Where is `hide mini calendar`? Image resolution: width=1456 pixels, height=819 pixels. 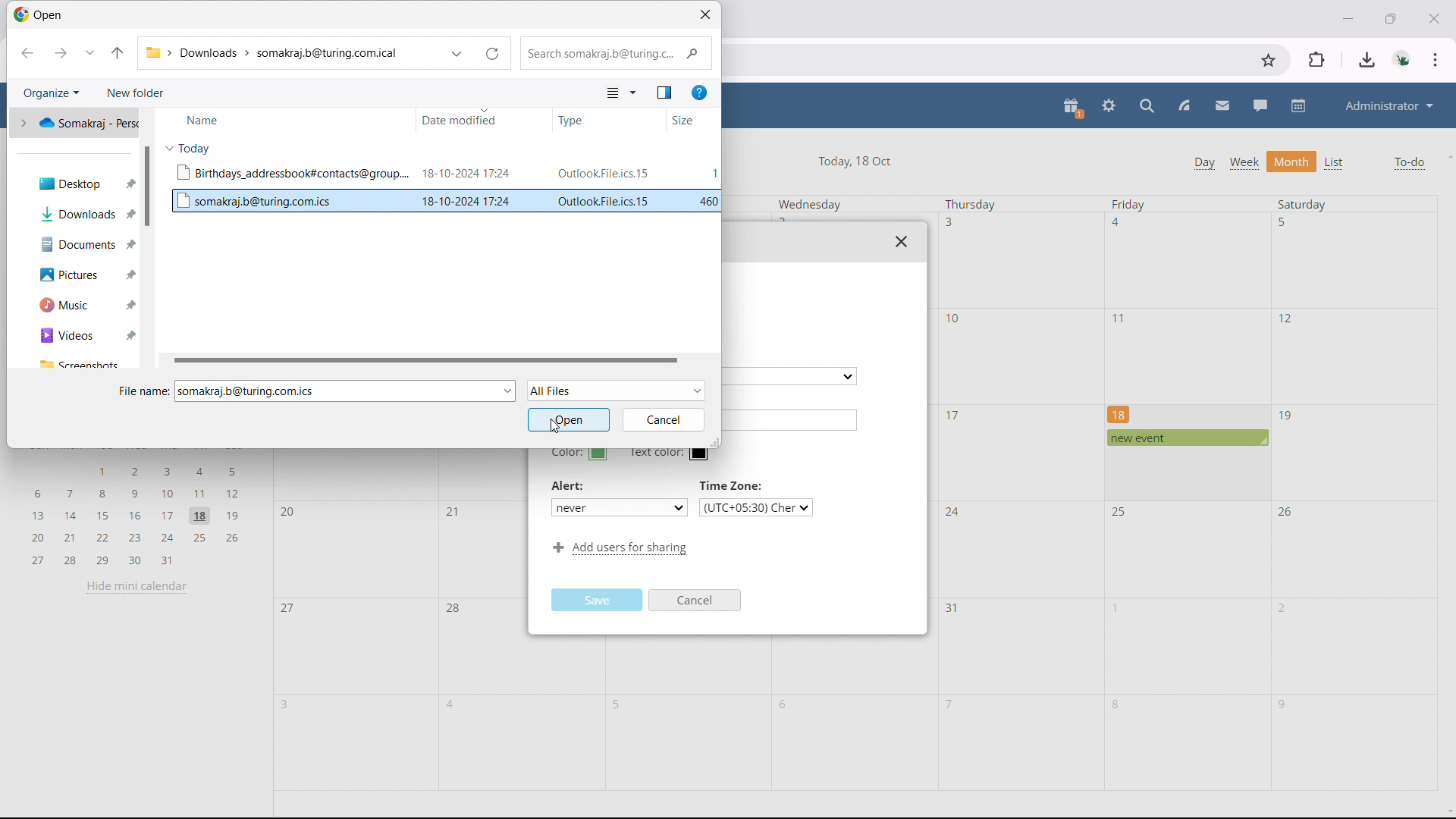
hide mini calendar is located at coordinates (136, 586).